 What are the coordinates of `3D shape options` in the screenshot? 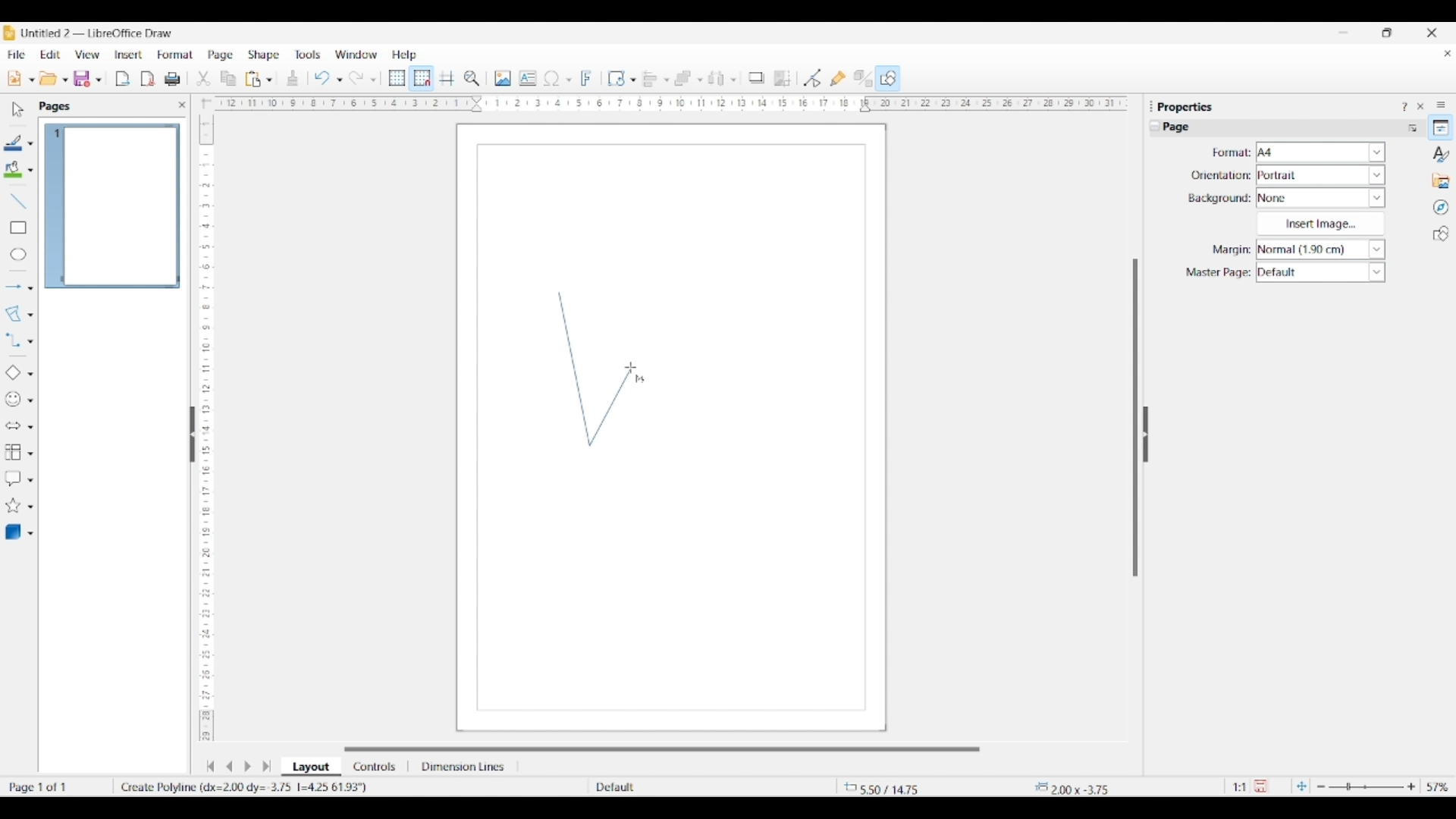 It's located at (30, 534).